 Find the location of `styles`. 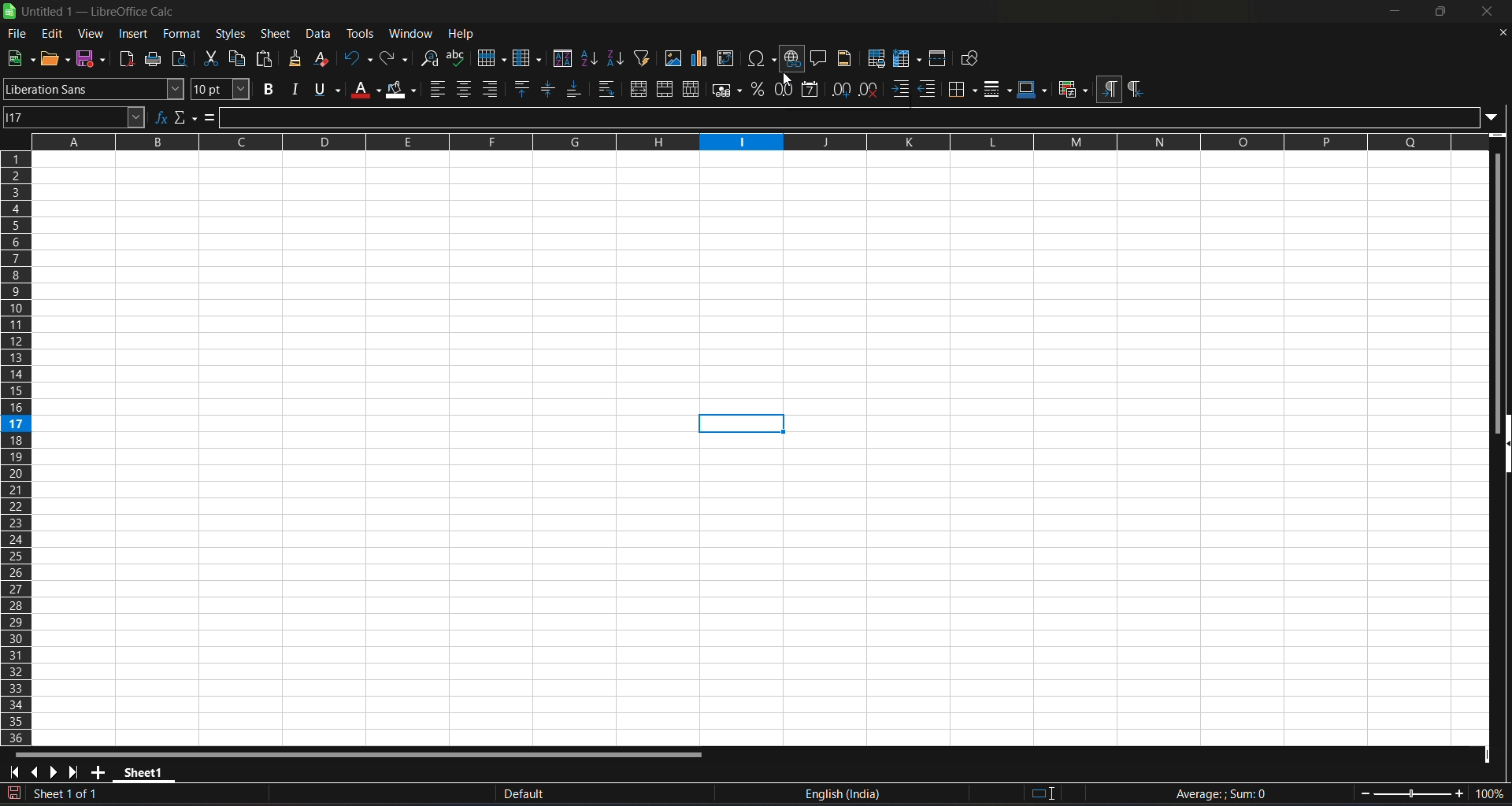

styles is located at coordinates (231, 34).